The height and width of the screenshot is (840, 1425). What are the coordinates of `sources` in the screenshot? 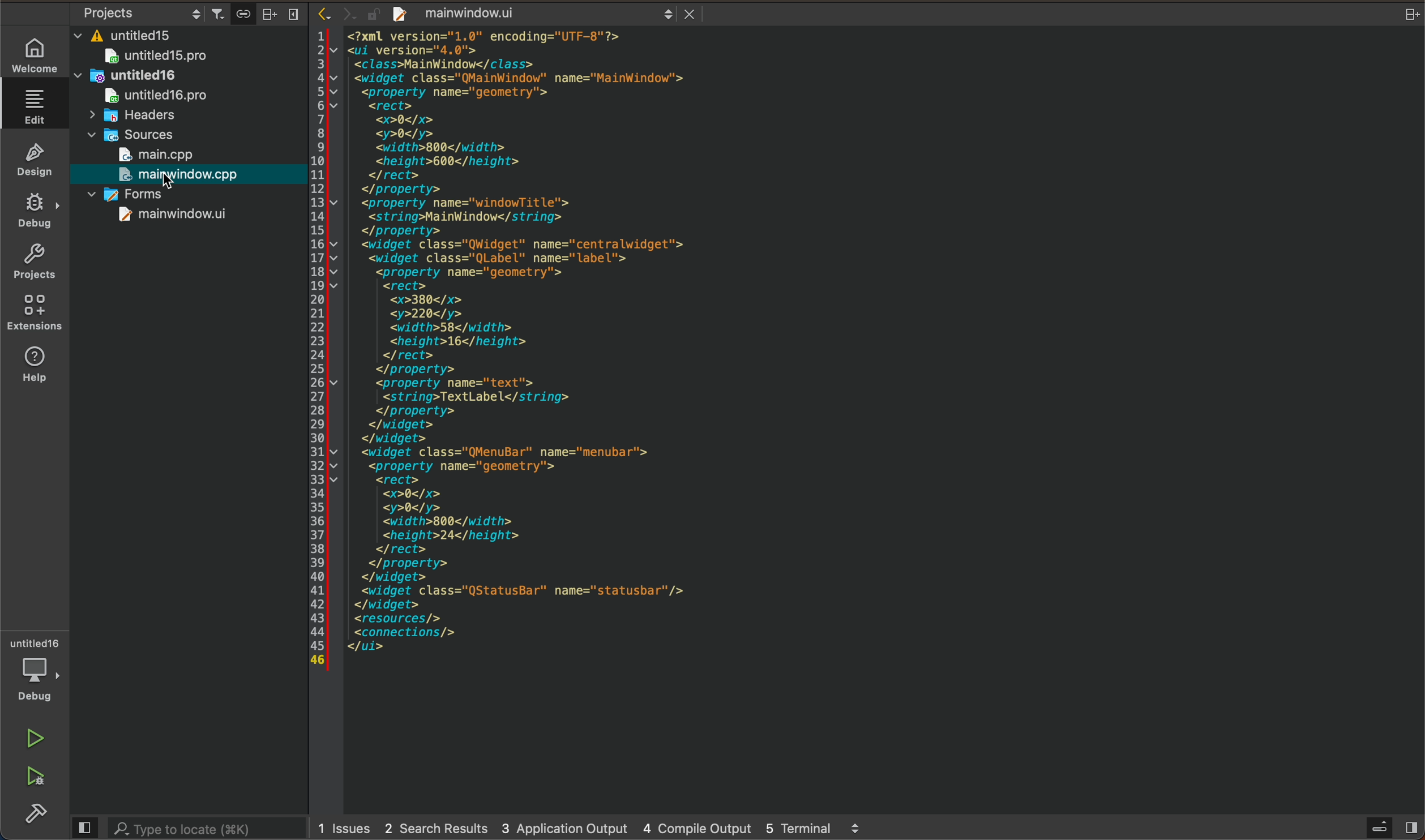 It's located at (139, 136).